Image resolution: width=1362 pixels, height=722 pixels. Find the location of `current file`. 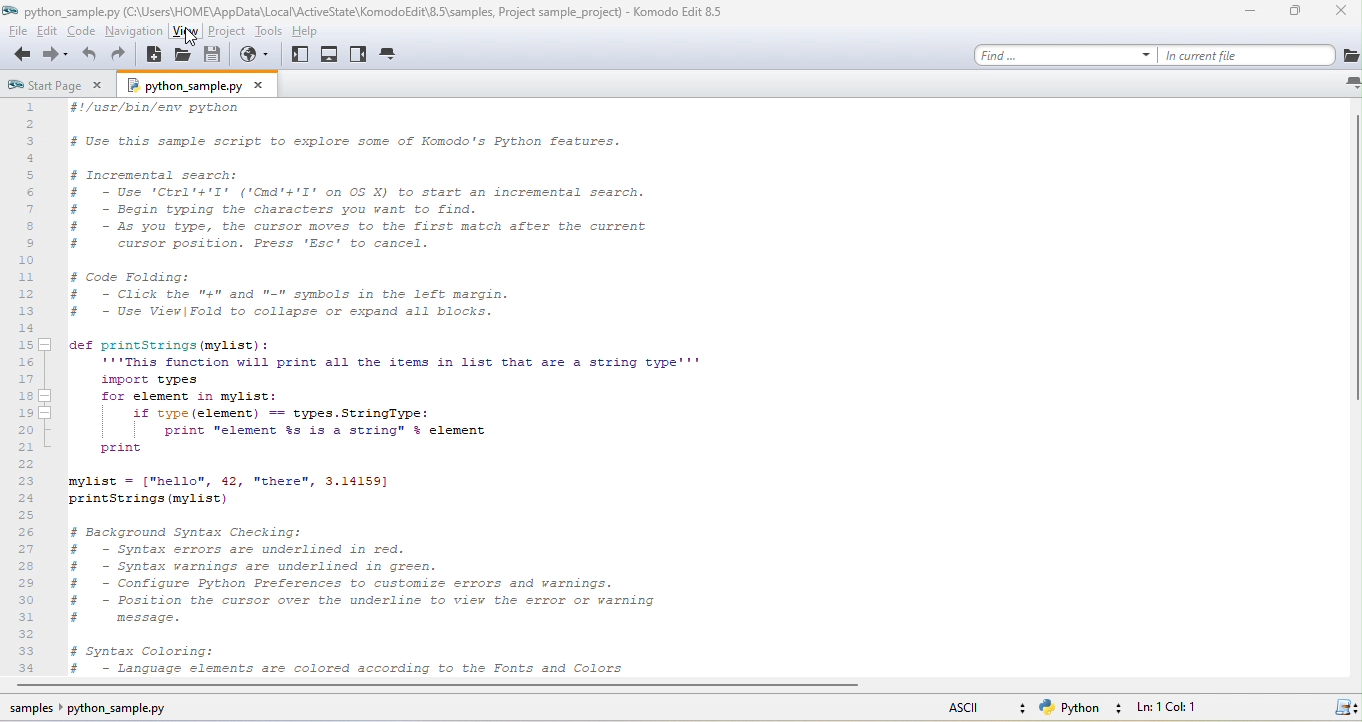

current file is located at coordinates (1265, 56).